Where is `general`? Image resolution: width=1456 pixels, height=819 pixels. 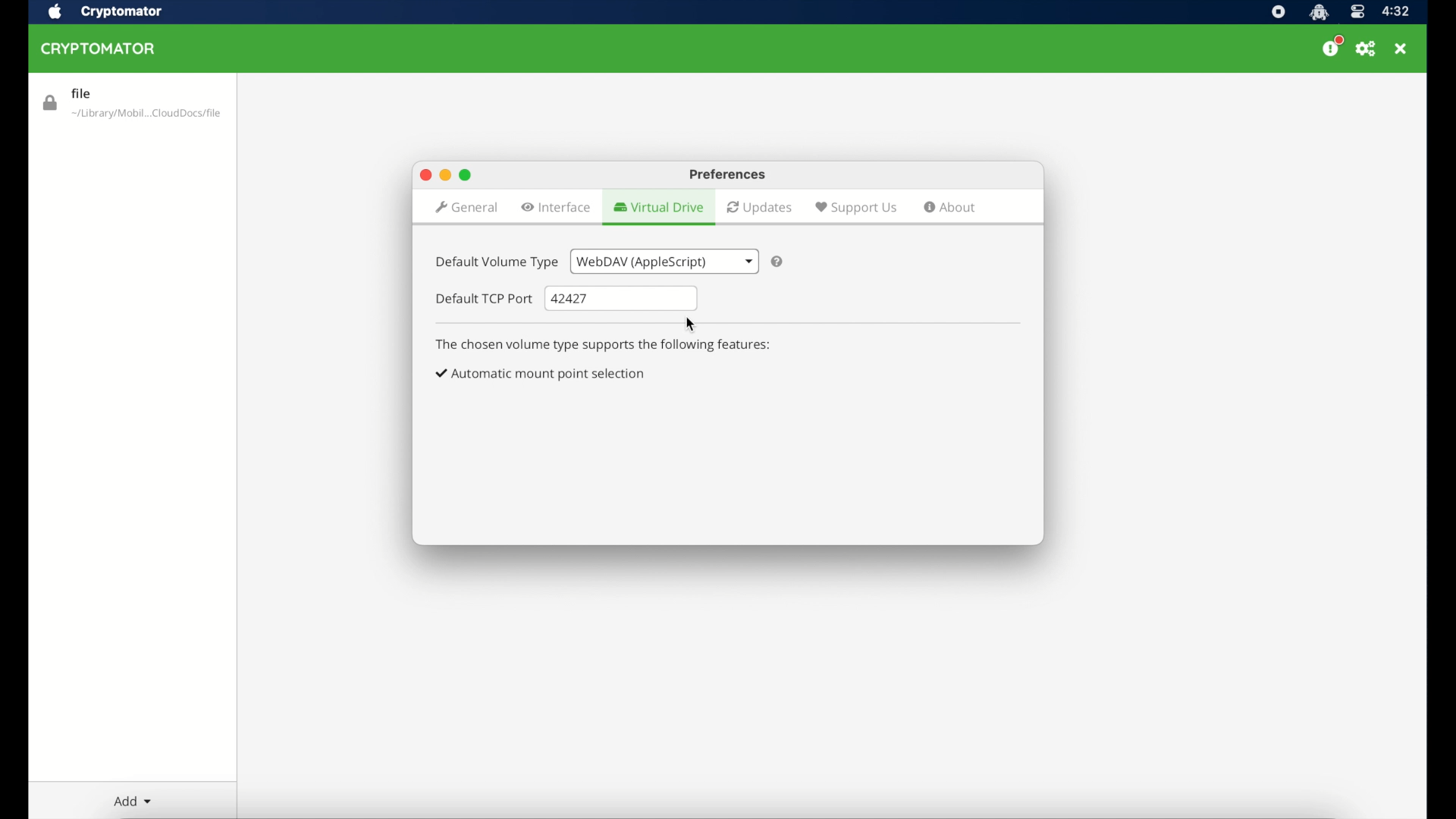 general is located at coordinates (466, 209).